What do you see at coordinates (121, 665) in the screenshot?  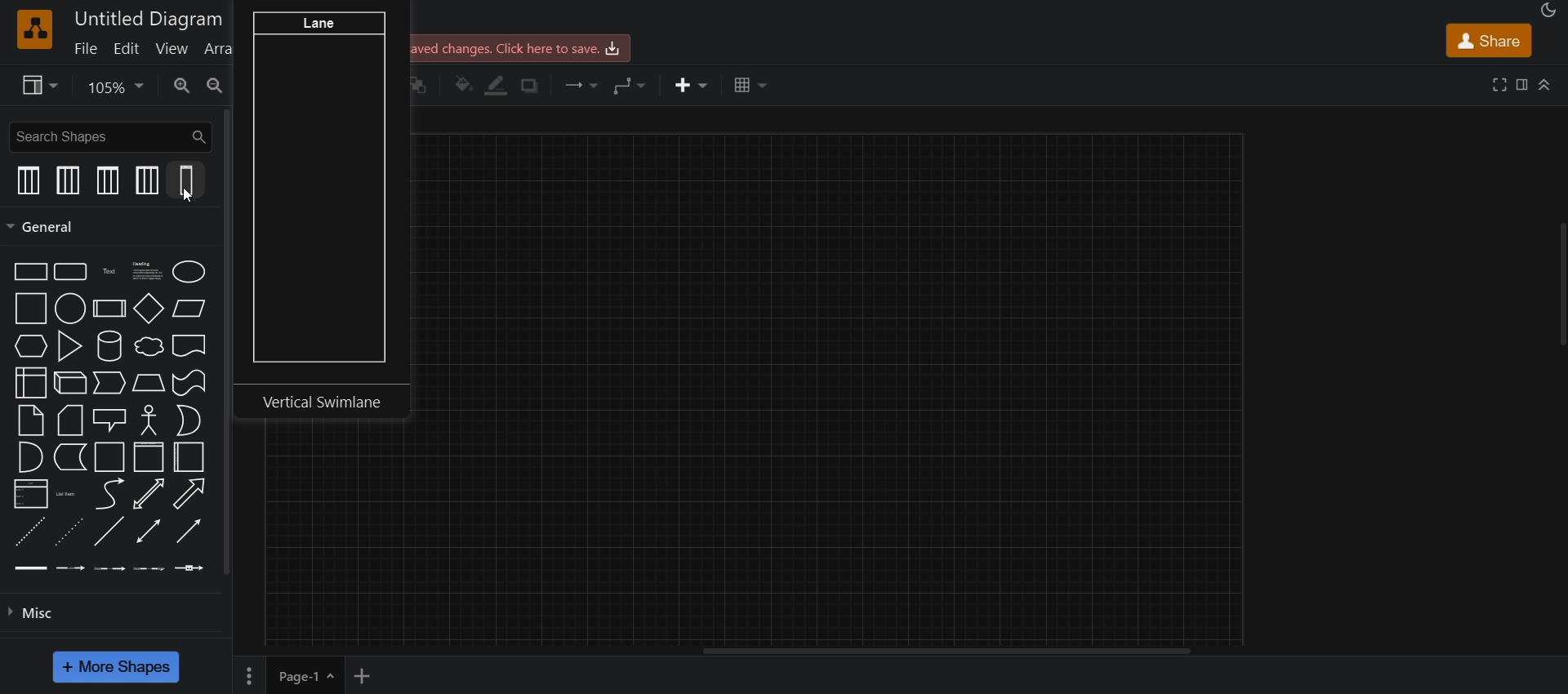 I see `more shapes` at bounding box center [121, 665].